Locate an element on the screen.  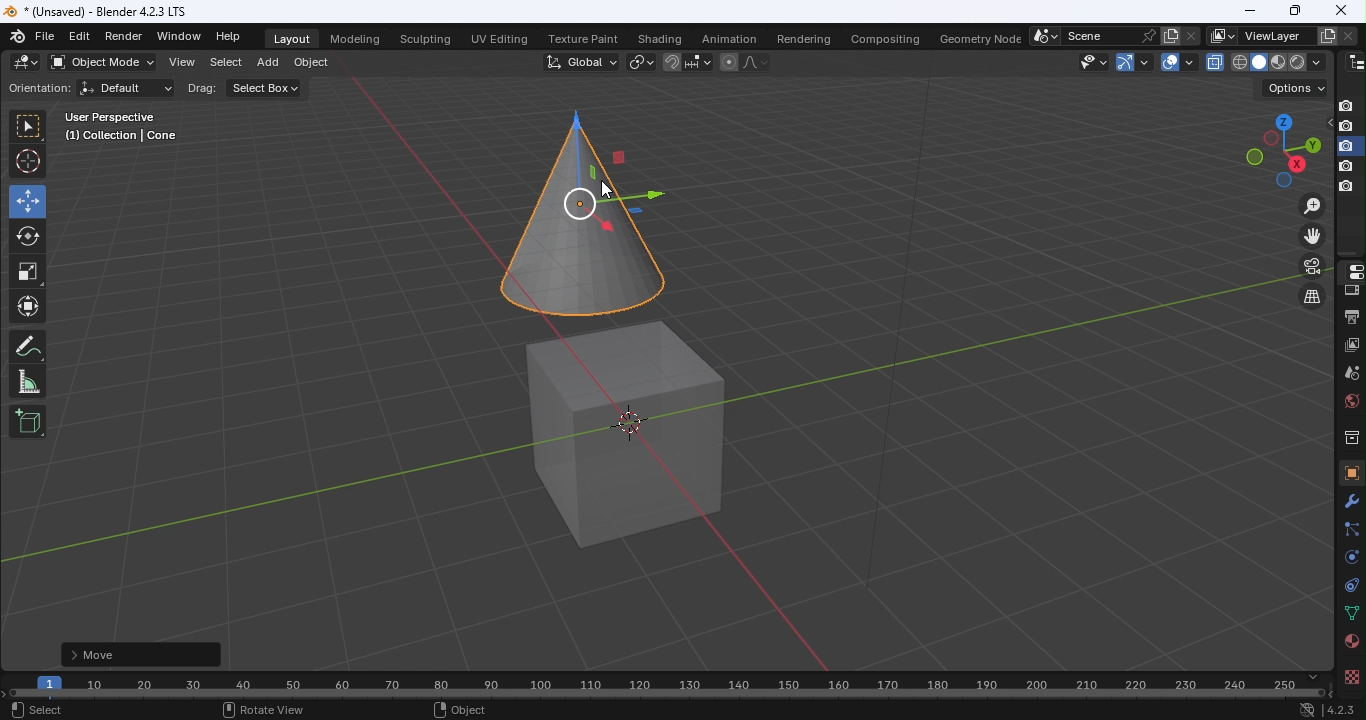
Physics is located at coordinates (1349, 556).